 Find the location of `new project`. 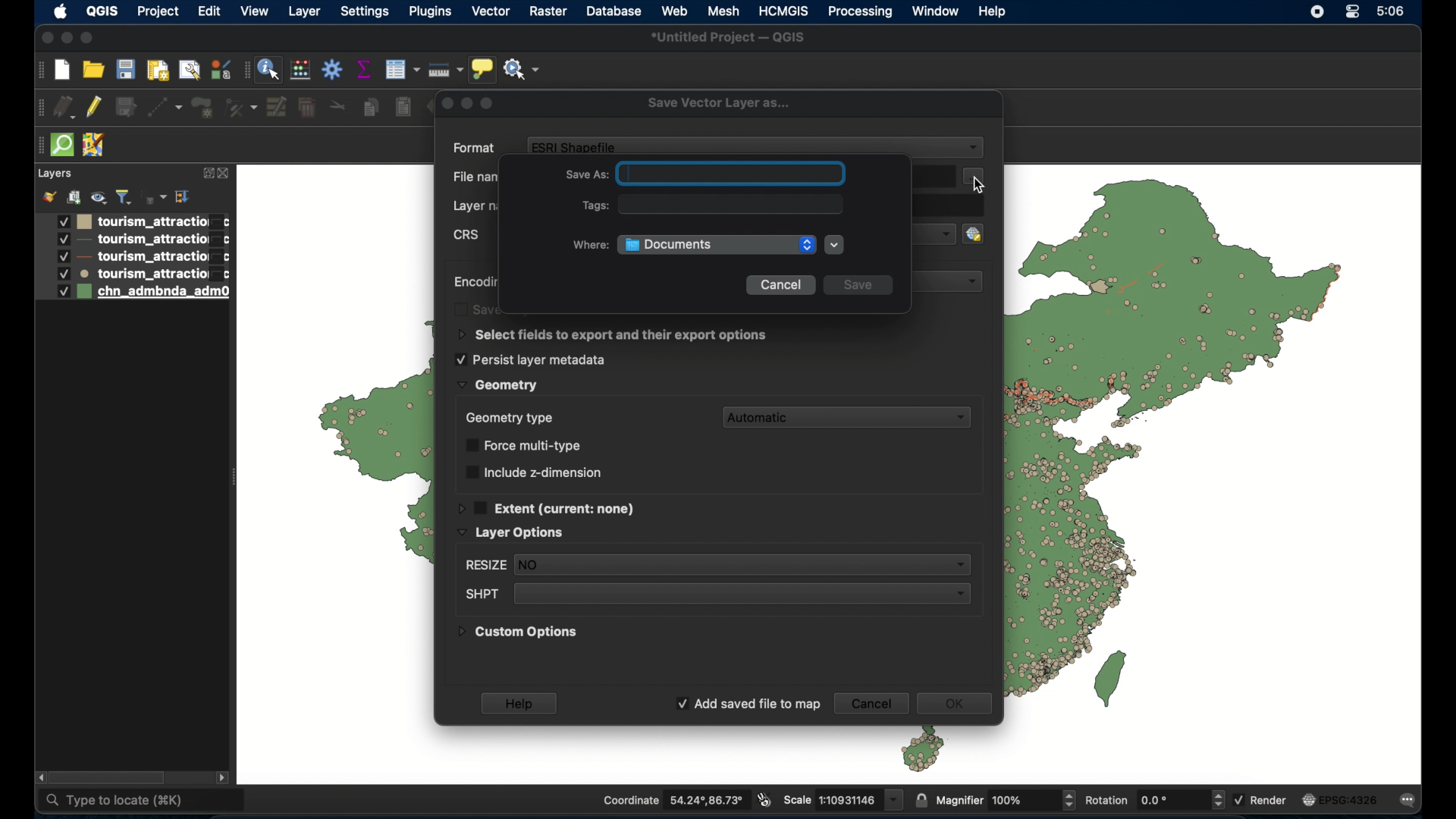

new project is located at coordinates (61, 70).